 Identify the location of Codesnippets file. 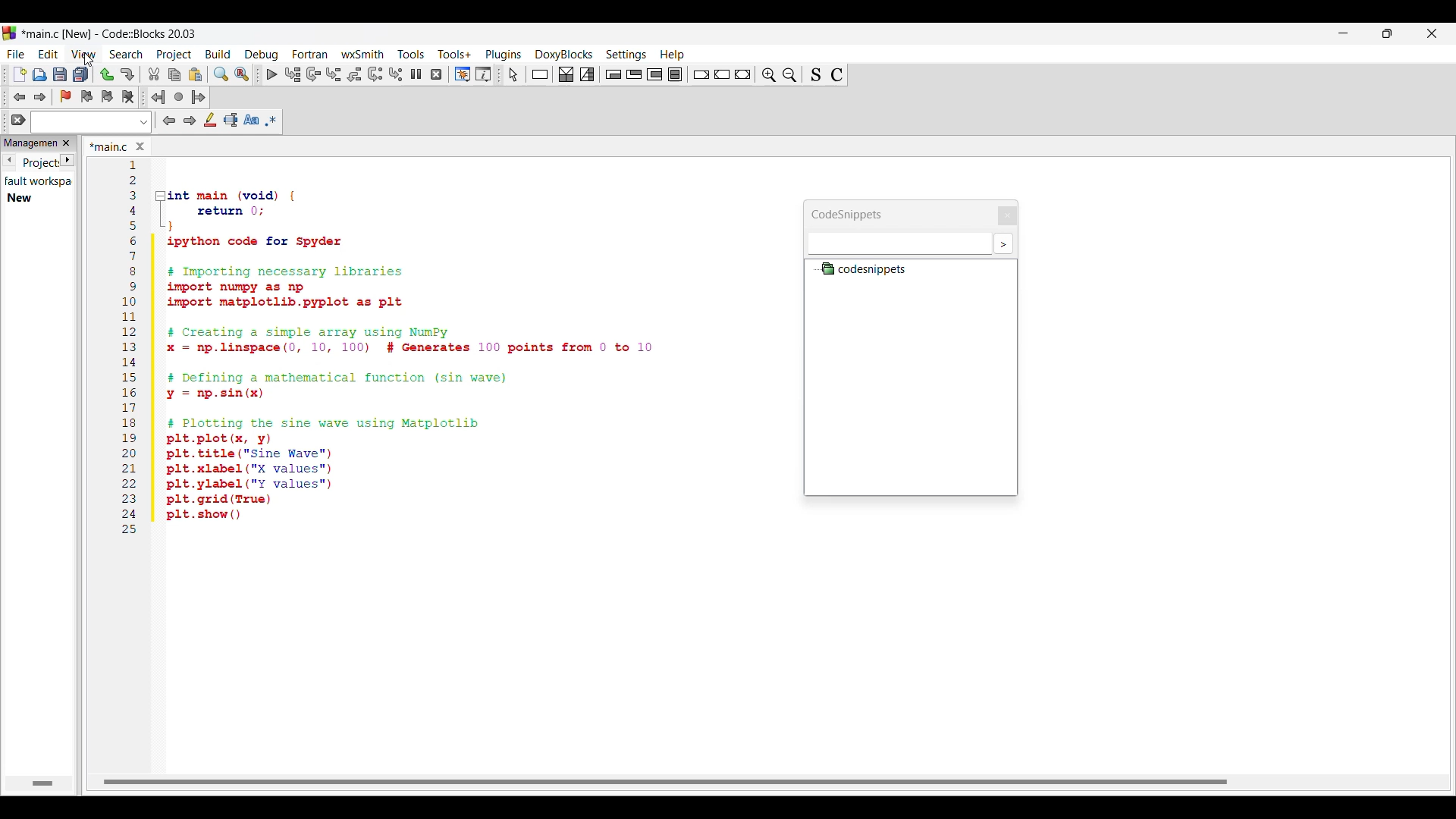
(869, 270).